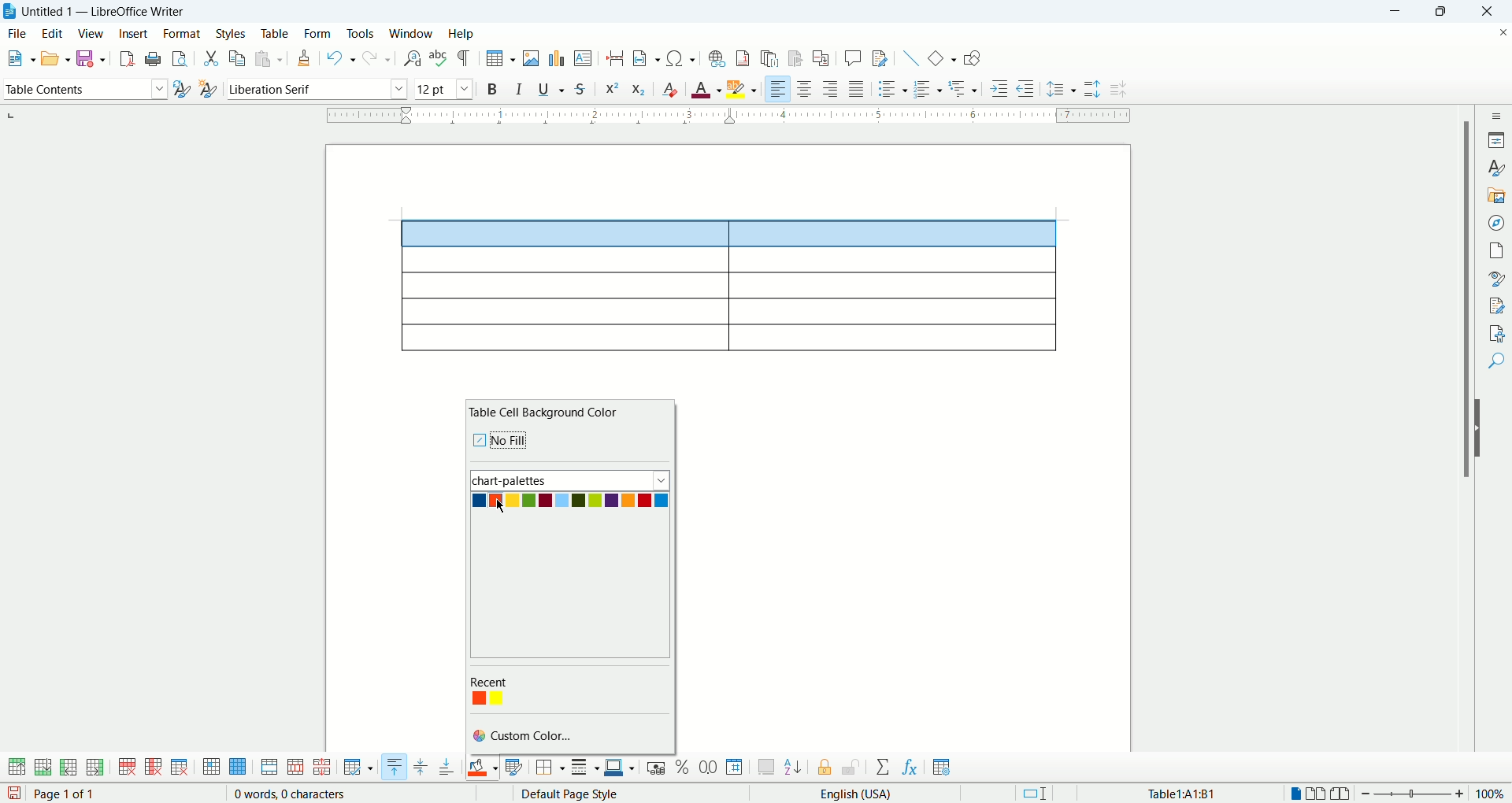  Describe the element at coordinates (850, 768) in the screenshot. I see `unprotect cells` at that location.